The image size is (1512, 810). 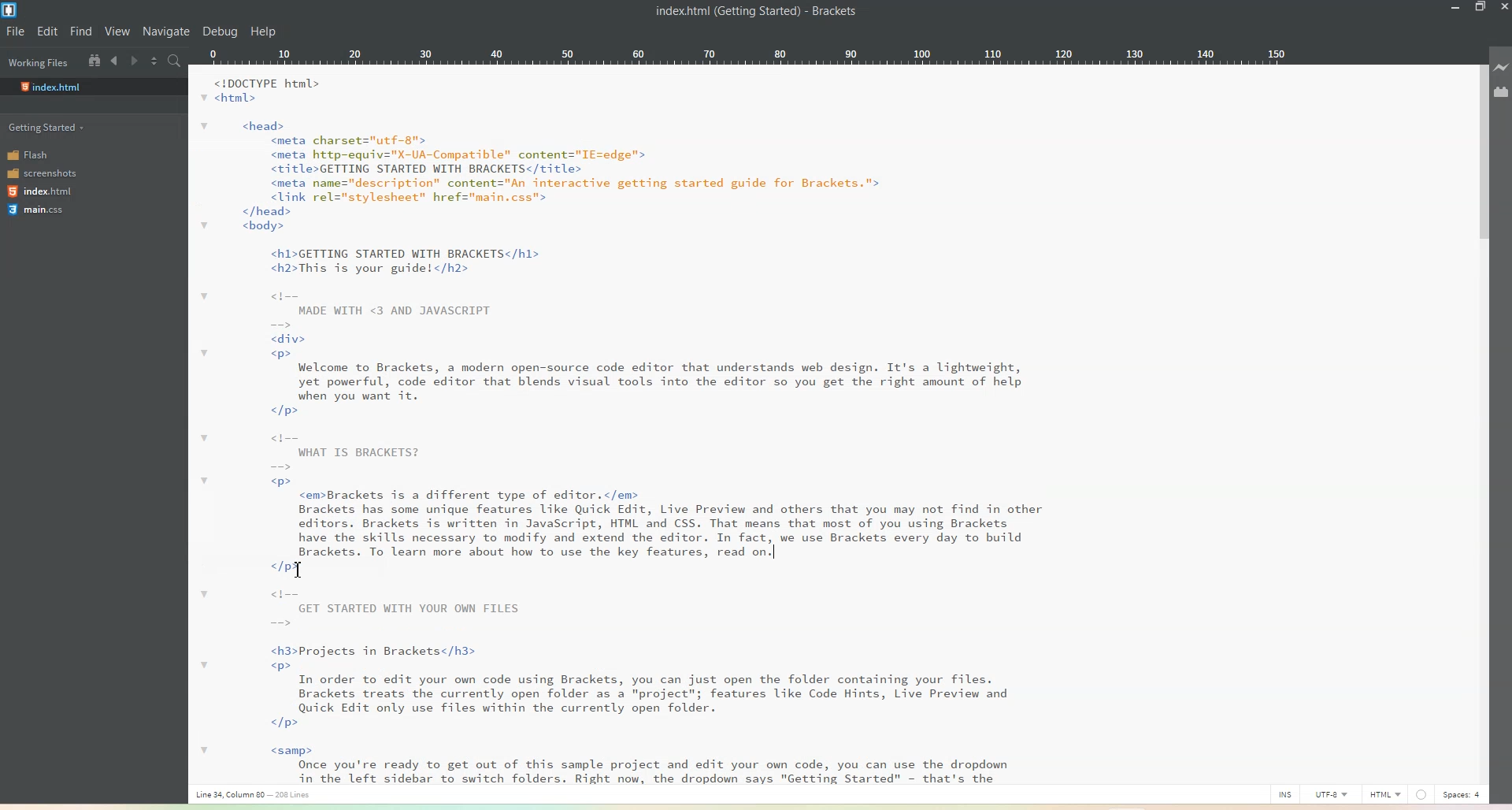 What do you see at coordinates (116, 60) in the screenshot?
I see `Navigate Backward` at bounding box center [116, 60].